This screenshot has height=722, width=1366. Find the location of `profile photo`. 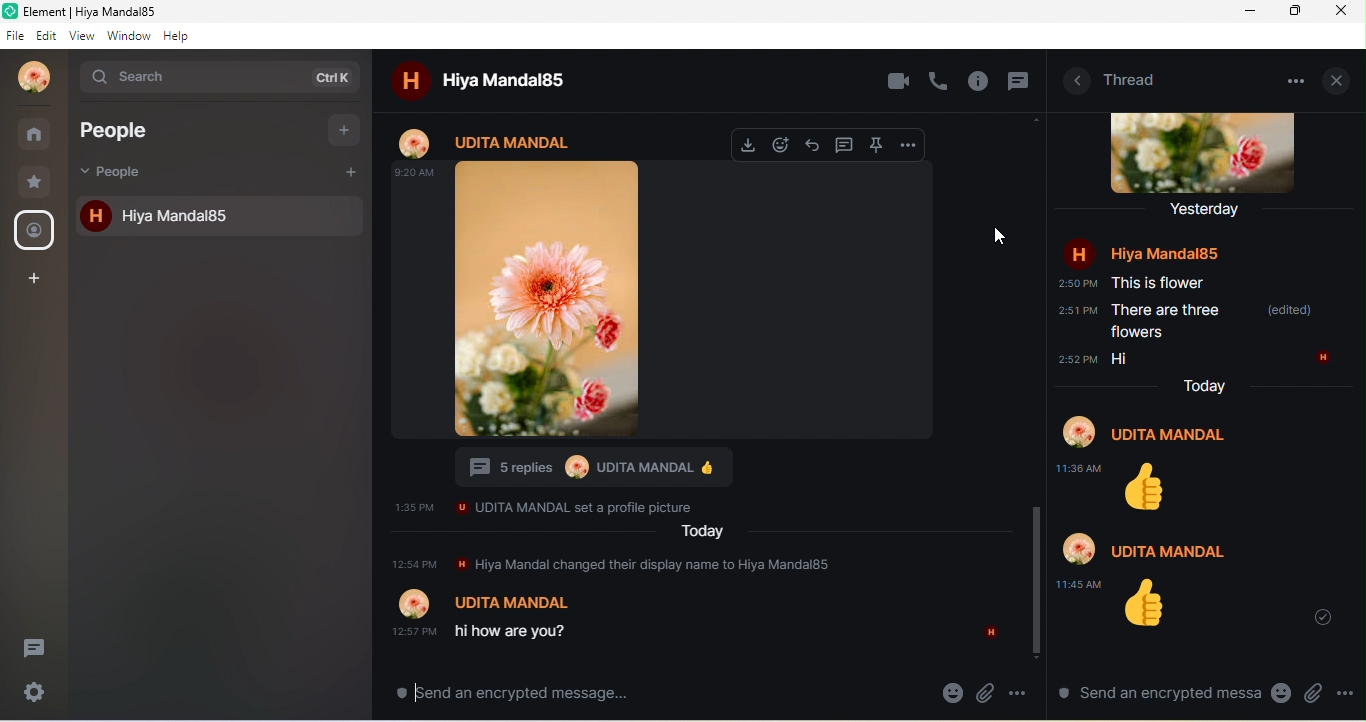

profile photo is located at coordinates (1208, 153).